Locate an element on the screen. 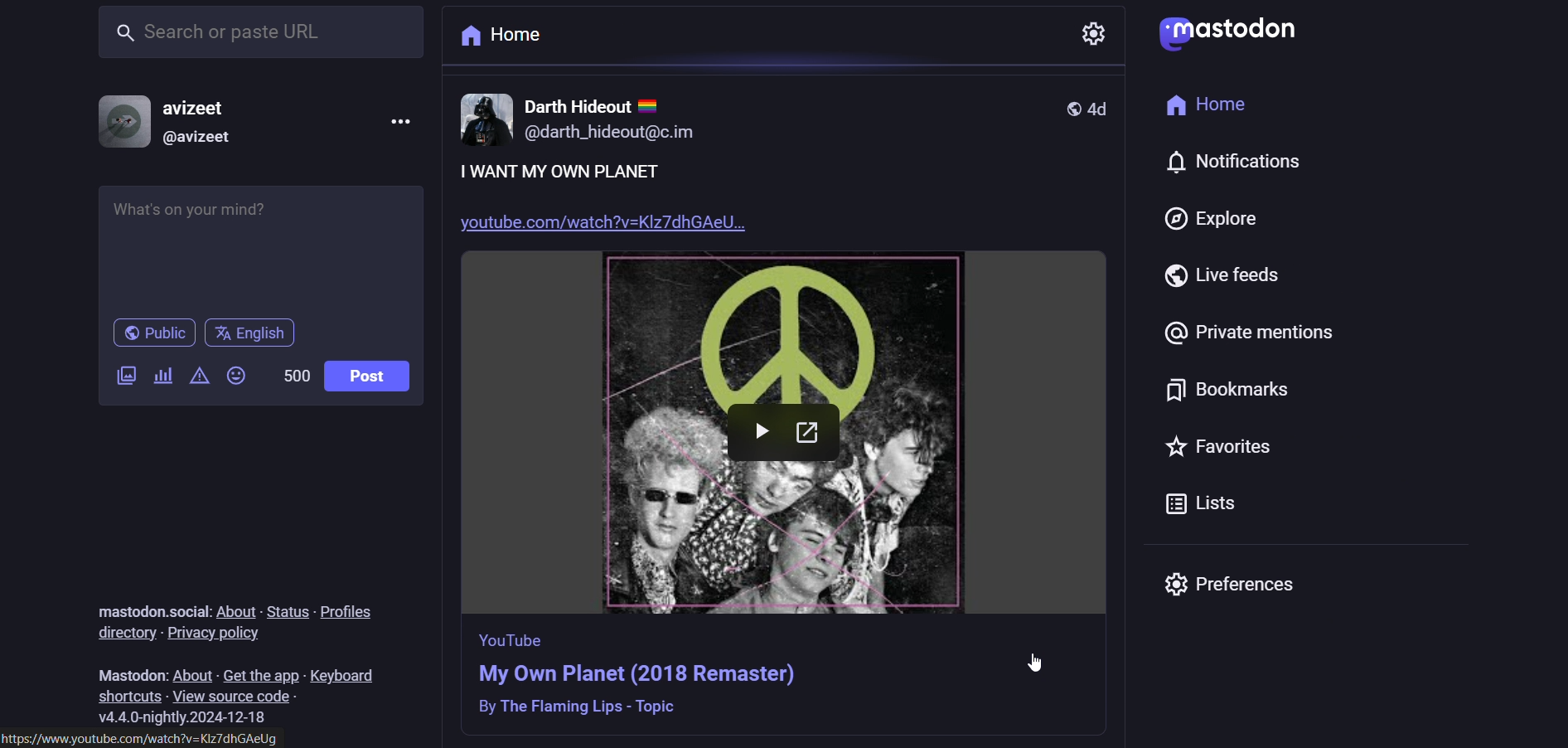 The image size is (1568, 748). favorites is located at coordinates (1231, 443).